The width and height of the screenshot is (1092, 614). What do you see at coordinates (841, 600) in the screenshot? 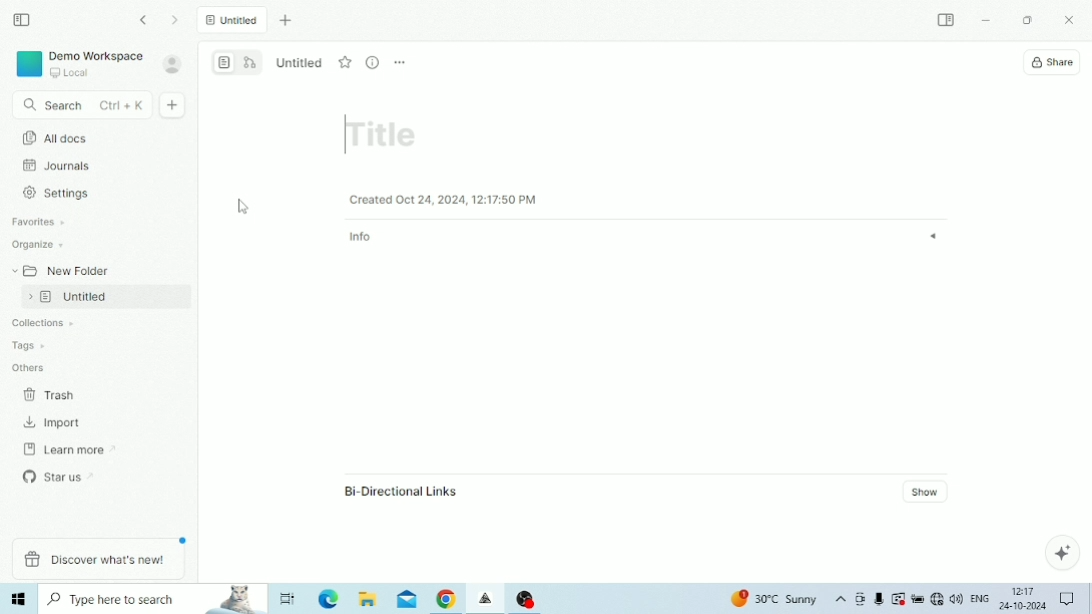
I see `Show hidden icons` at bounding box center [841, 600].